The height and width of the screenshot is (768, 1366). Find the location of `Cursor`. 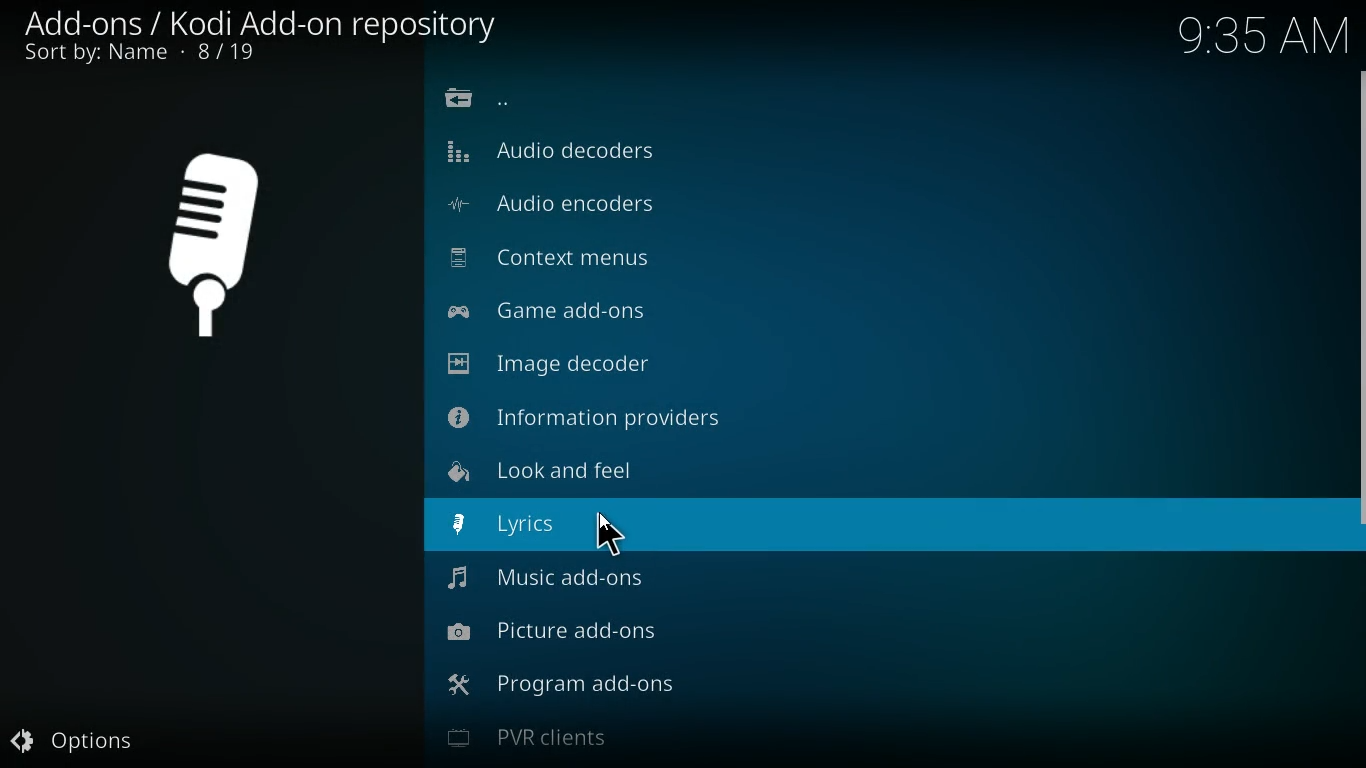

Cursor is located at coordinates (613, 534).